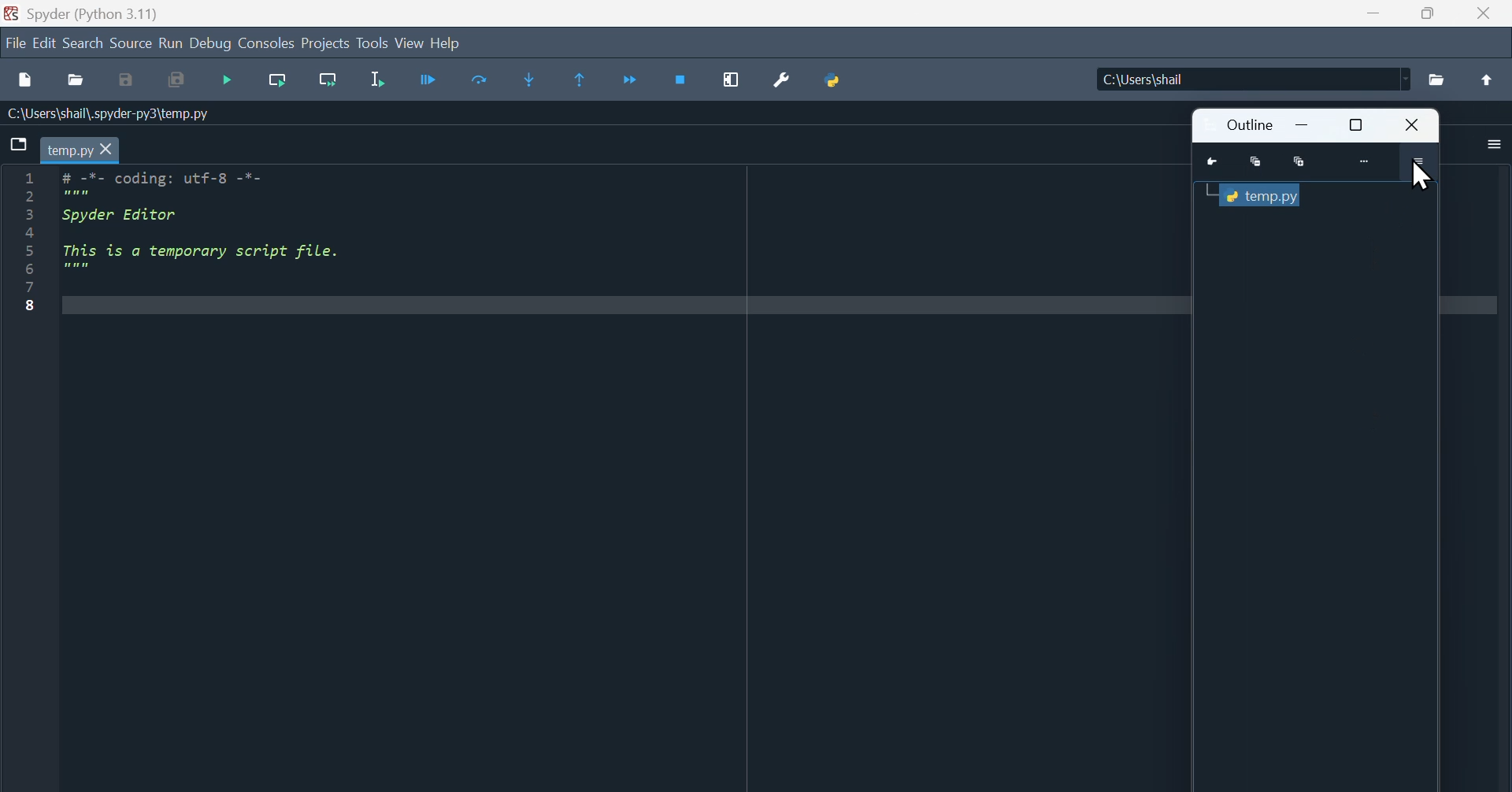 Image resolution: width=1512 pixels, height=792 pixels. Describe the element at coordinates (731, 80) in the screenshot. I see `Maximise current window` at that location.